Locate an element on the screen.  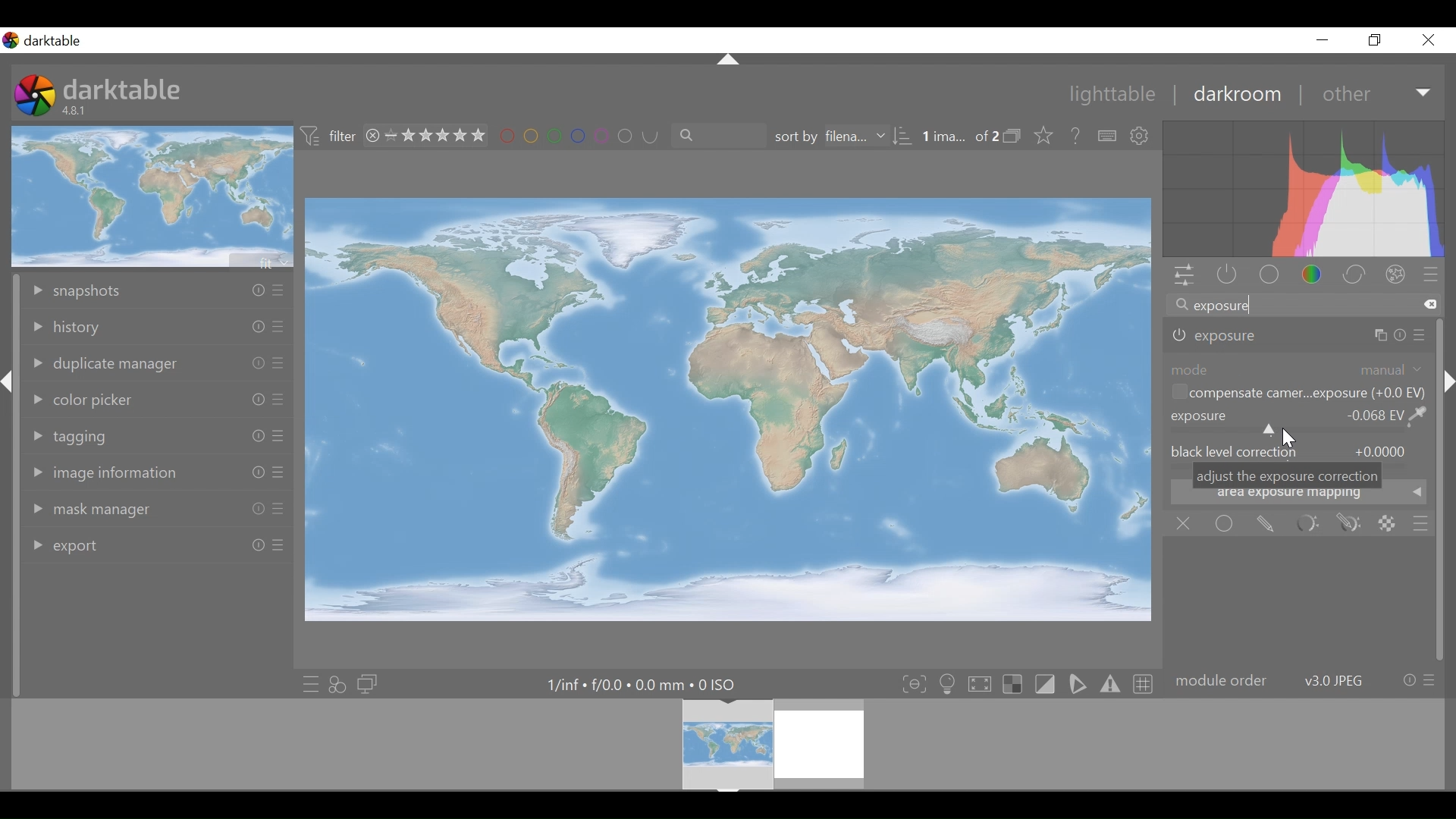
preset is located at coordinates (1431, 274).